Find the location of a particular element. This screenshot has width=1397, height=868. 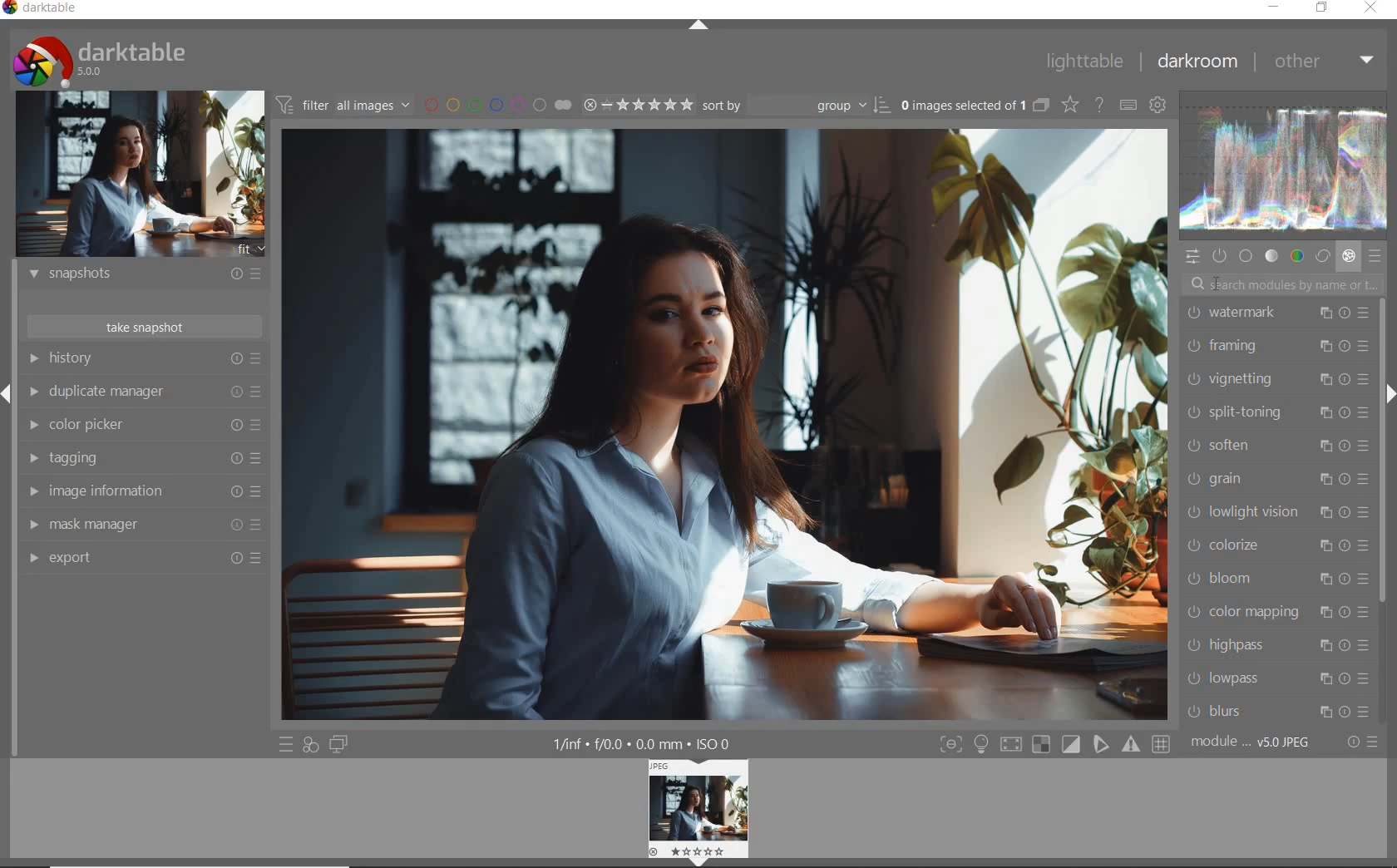

scrollbar is located at coordinates (1383, 453).